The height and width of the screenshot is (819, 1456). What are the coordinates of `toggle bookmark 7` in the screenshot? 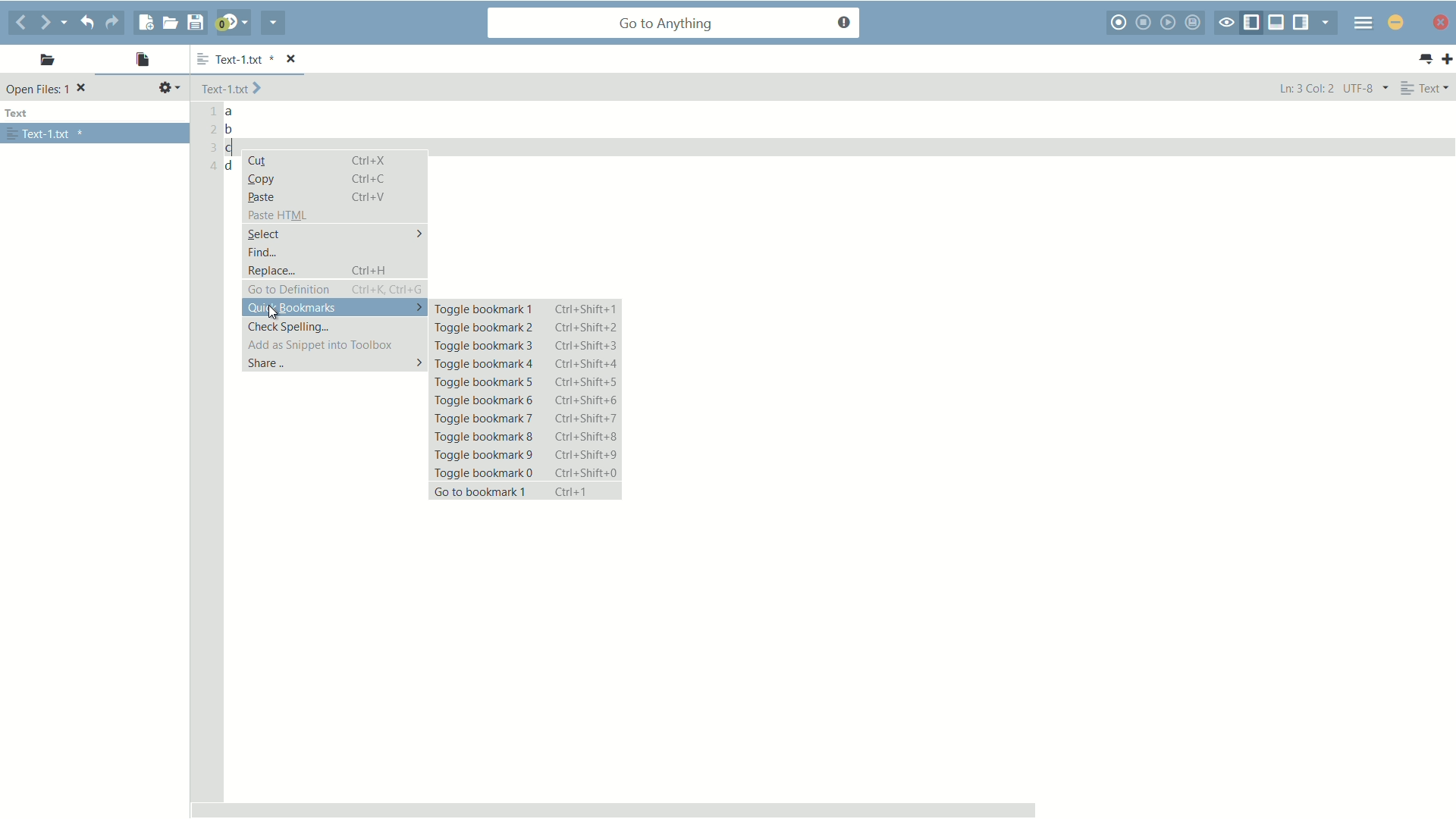 It's located at (529, 419).